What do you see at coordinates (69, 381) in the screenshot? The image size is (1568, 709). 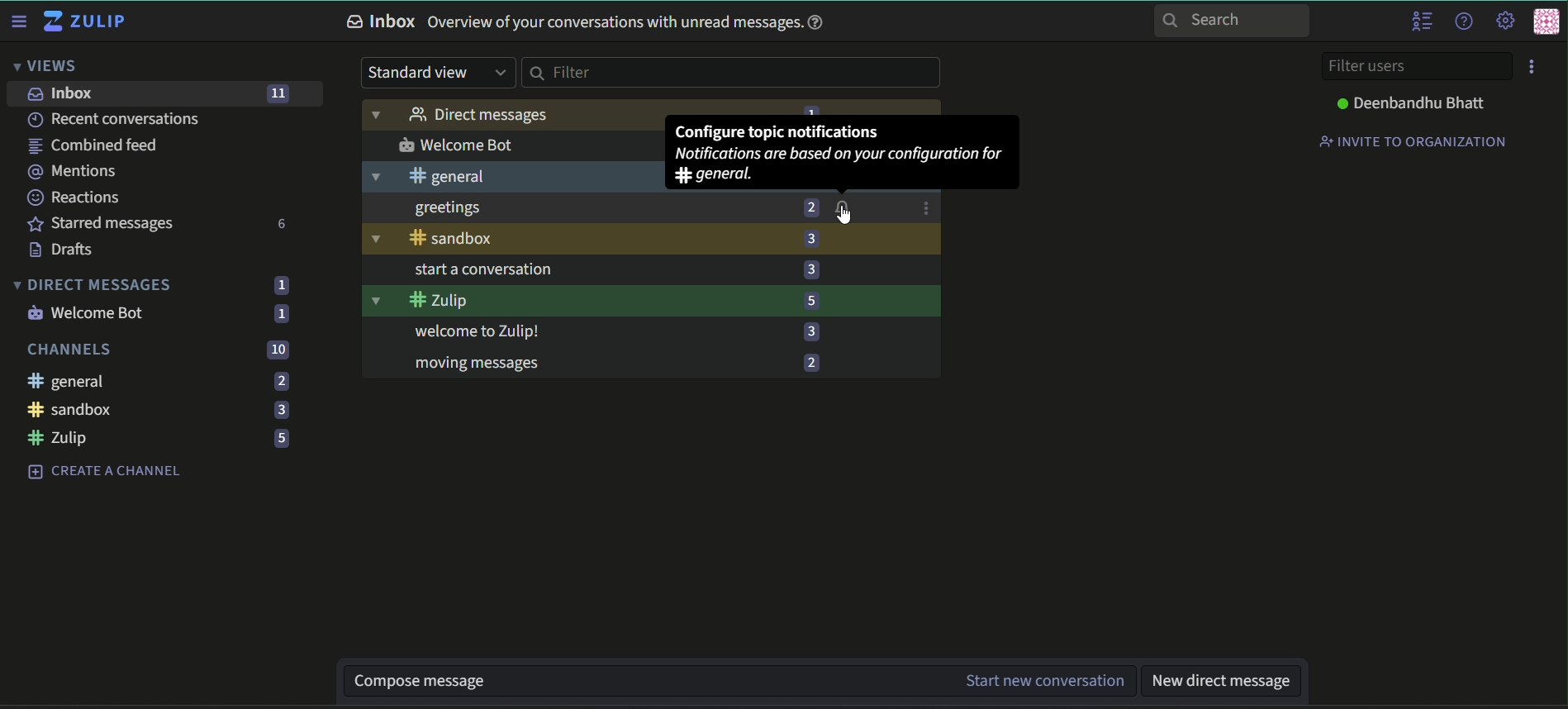 I see `General` at bounding box center [69, 381].